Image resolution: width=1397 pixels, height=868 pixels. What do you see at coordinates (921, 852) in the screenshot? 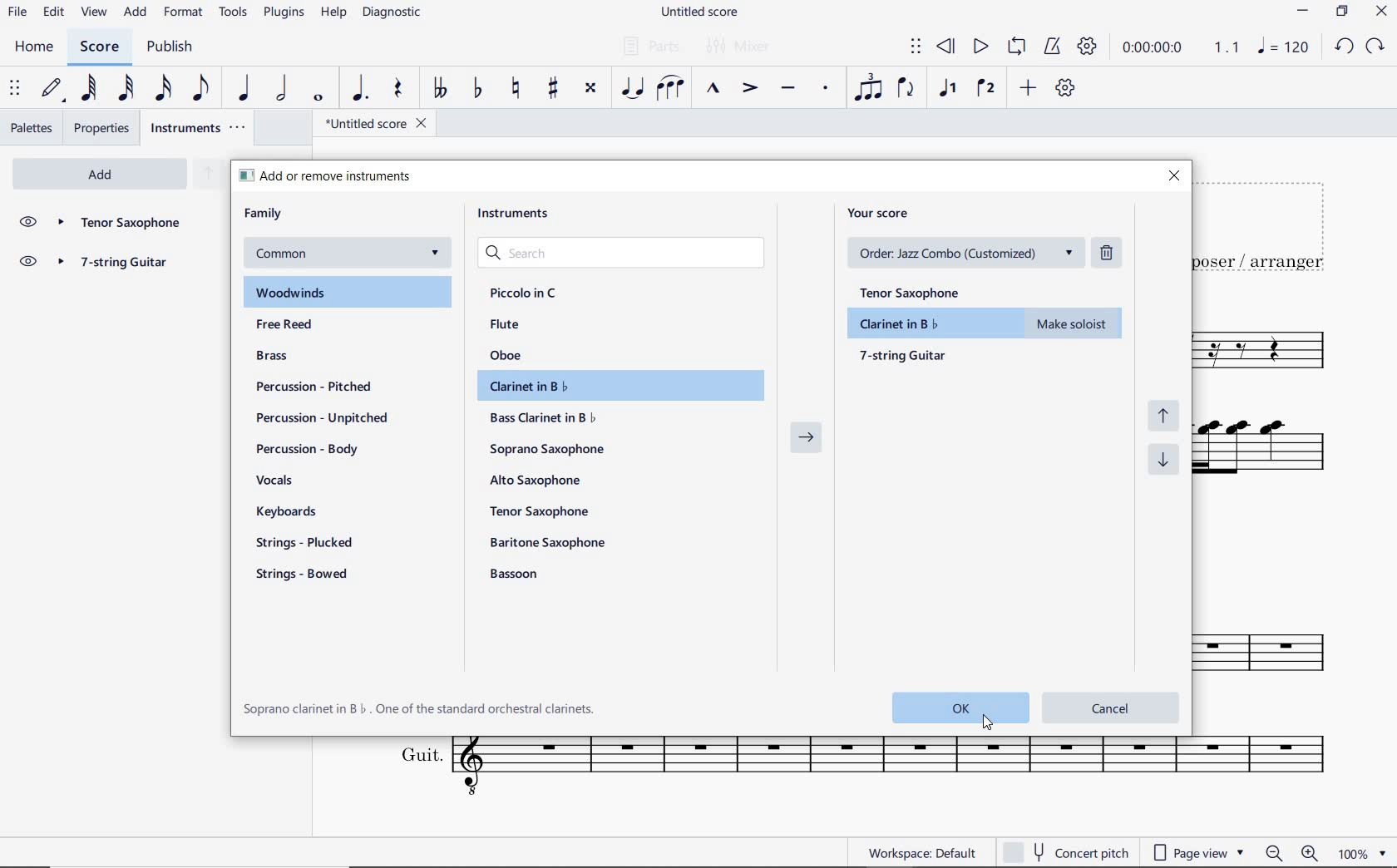
I see `workspace default` at bounding box center [921, 852].